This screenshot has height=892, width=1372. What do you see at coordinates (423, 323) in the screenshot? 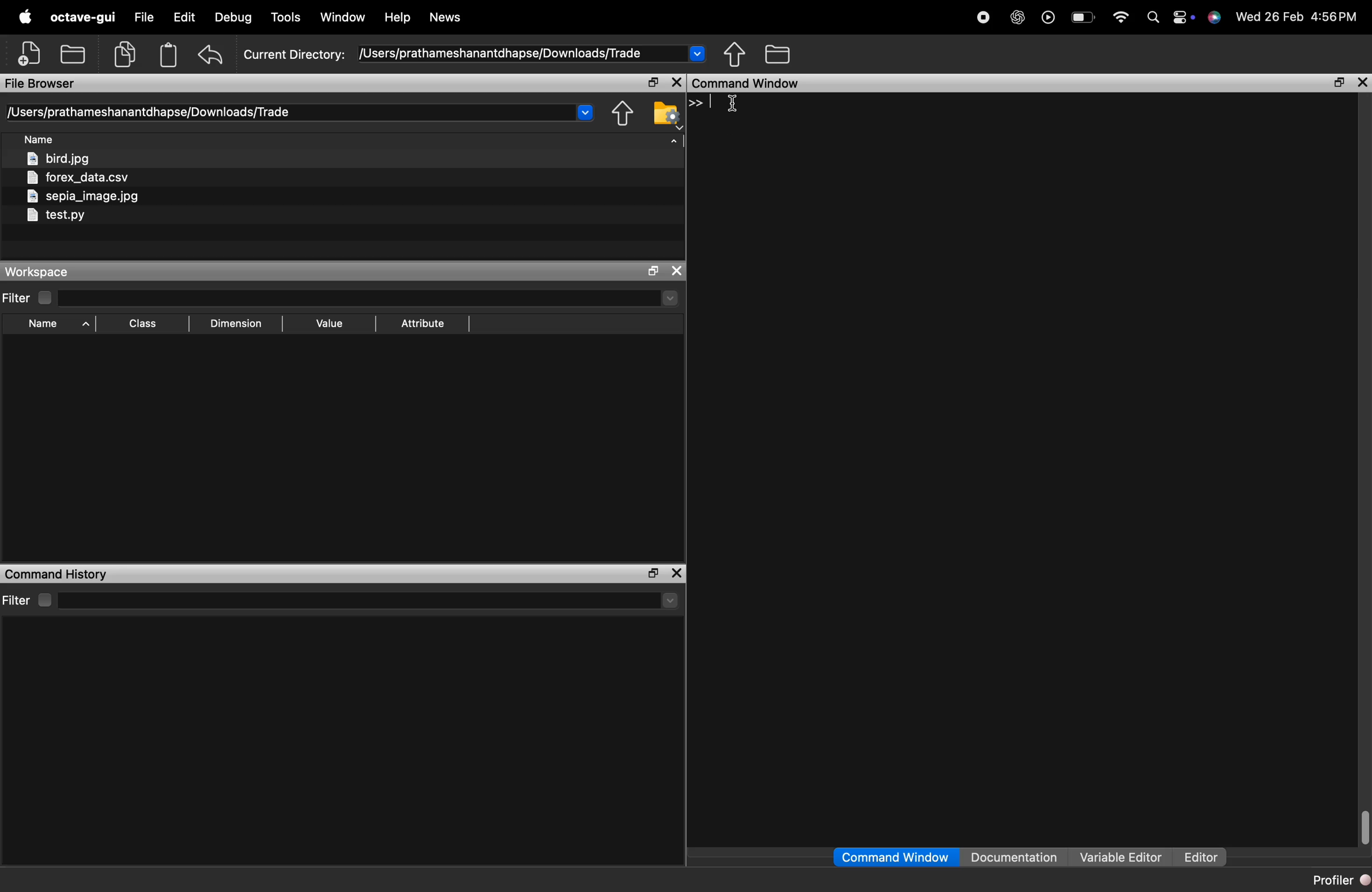
I see `Attribute` at bounding box center [423, 323].